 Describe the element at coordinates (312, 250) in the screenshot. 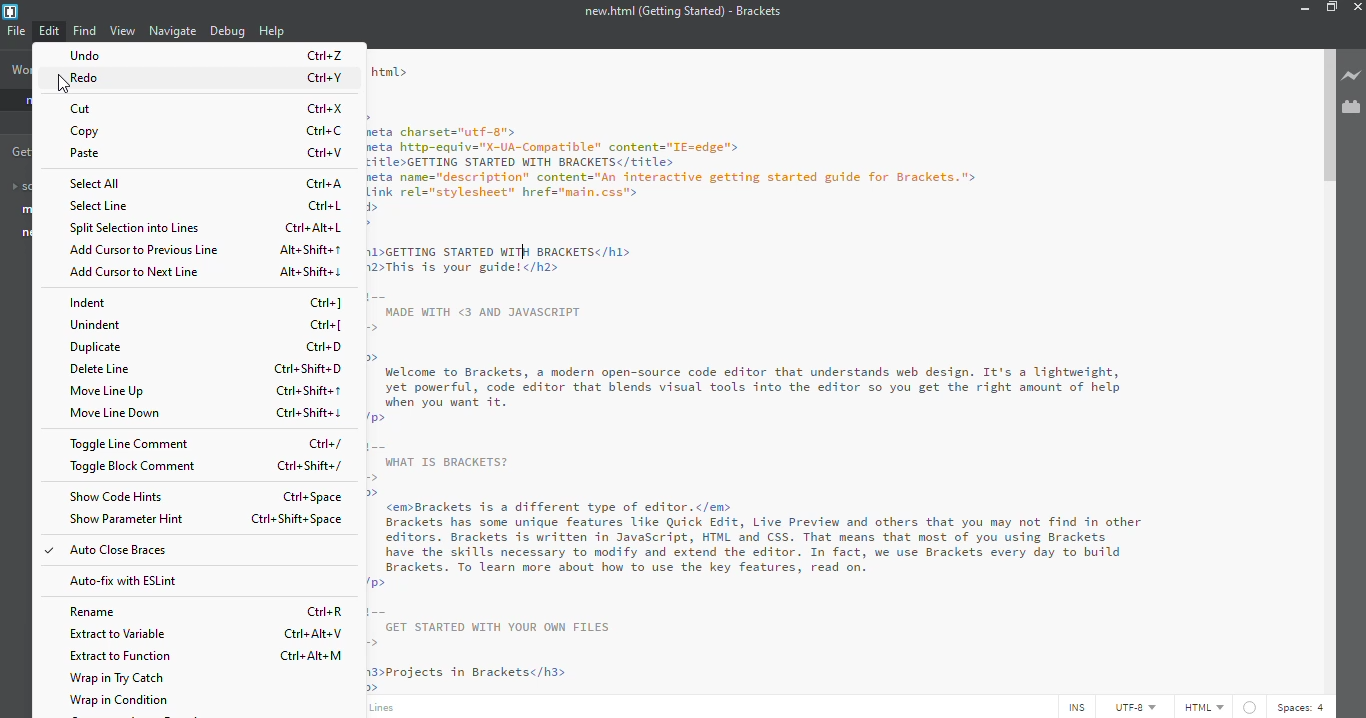

I see `alt+shift+up arrow` at that location.